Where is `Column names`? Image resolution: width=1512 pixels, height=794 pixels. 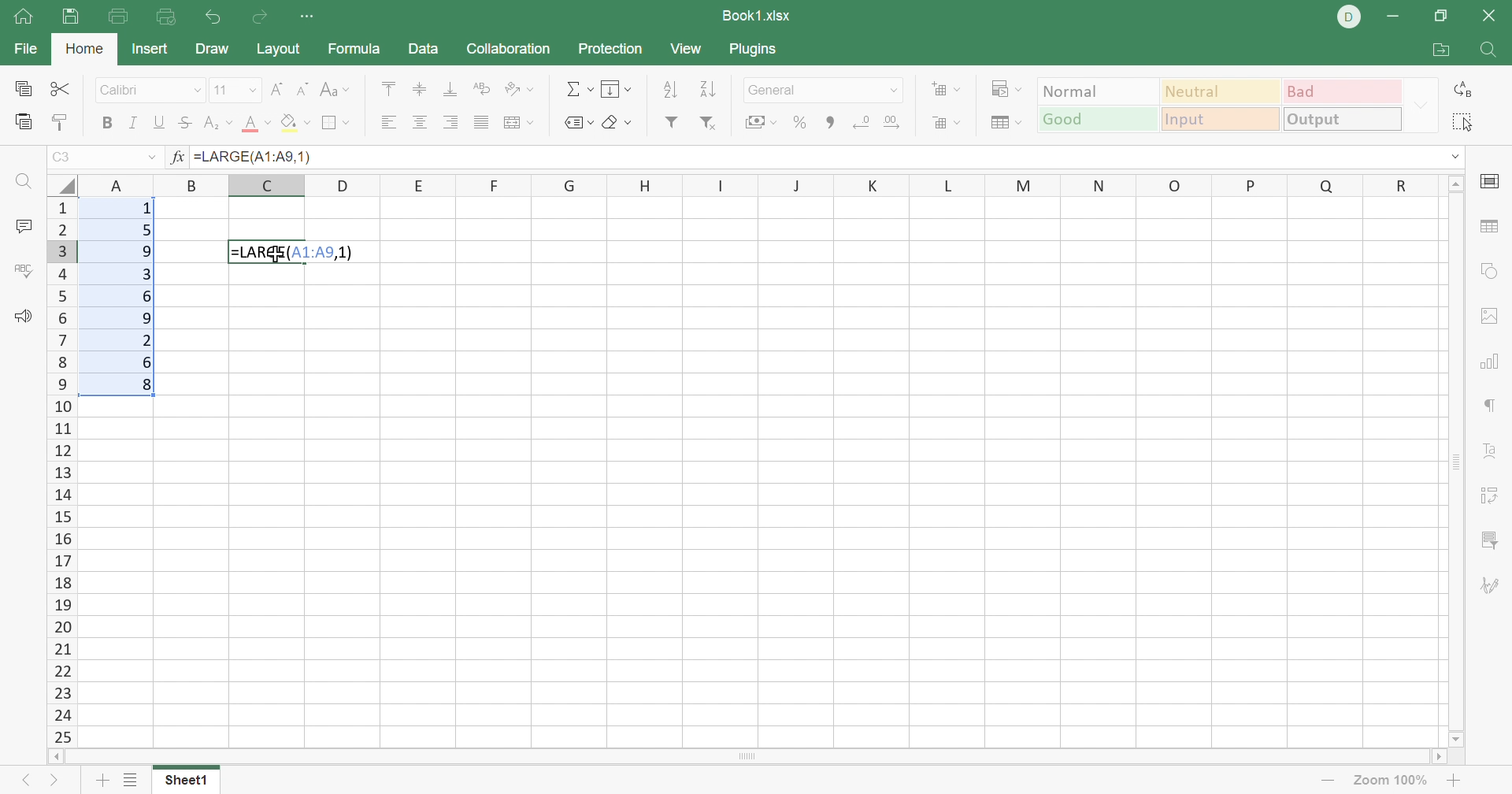 Column names is located at coordinates (758, 184).